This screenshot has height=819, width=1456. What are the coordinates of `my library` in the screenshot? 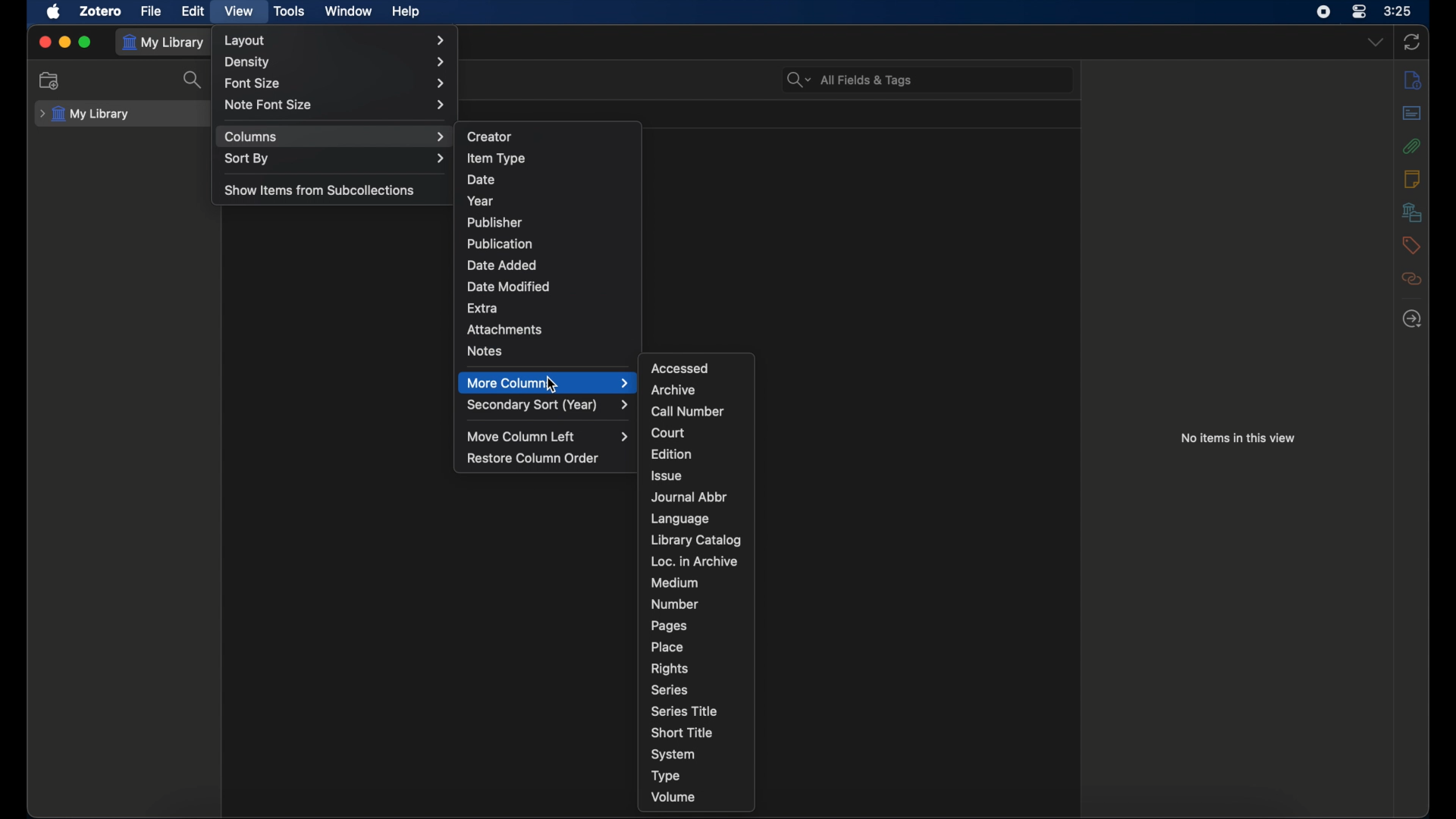 It's located at (86, 114).